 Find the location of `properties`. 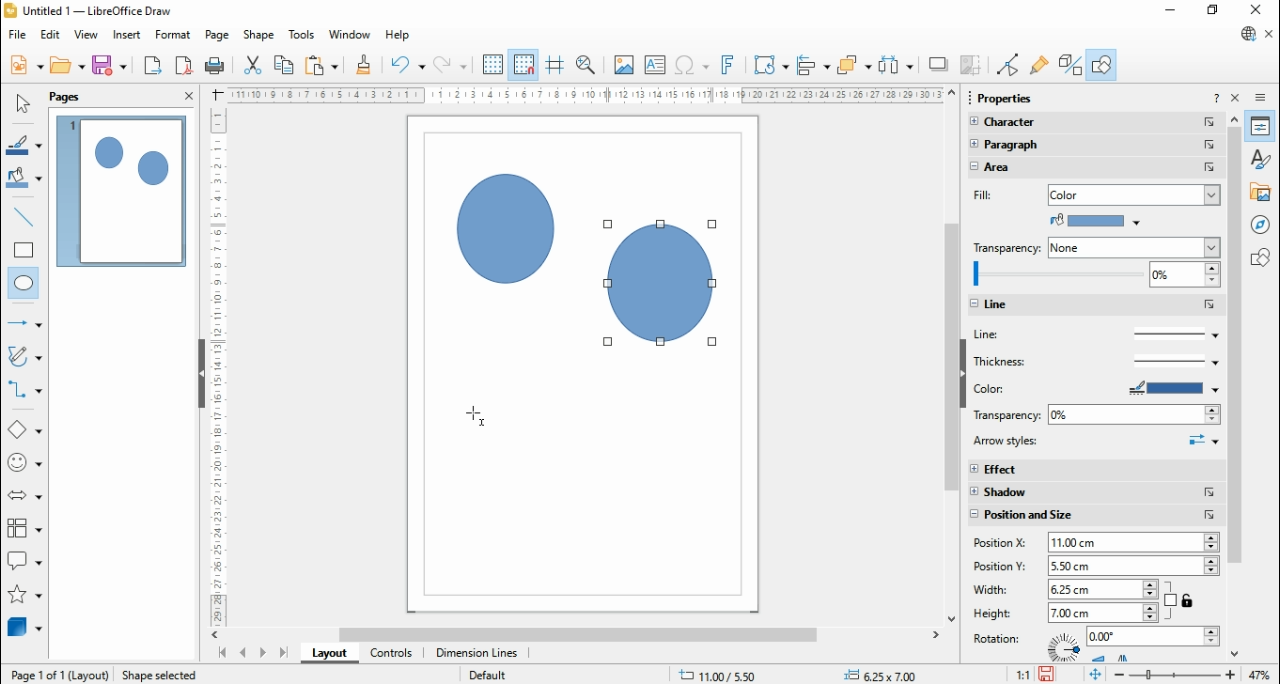

properties is located at coordinates (1261, 126).